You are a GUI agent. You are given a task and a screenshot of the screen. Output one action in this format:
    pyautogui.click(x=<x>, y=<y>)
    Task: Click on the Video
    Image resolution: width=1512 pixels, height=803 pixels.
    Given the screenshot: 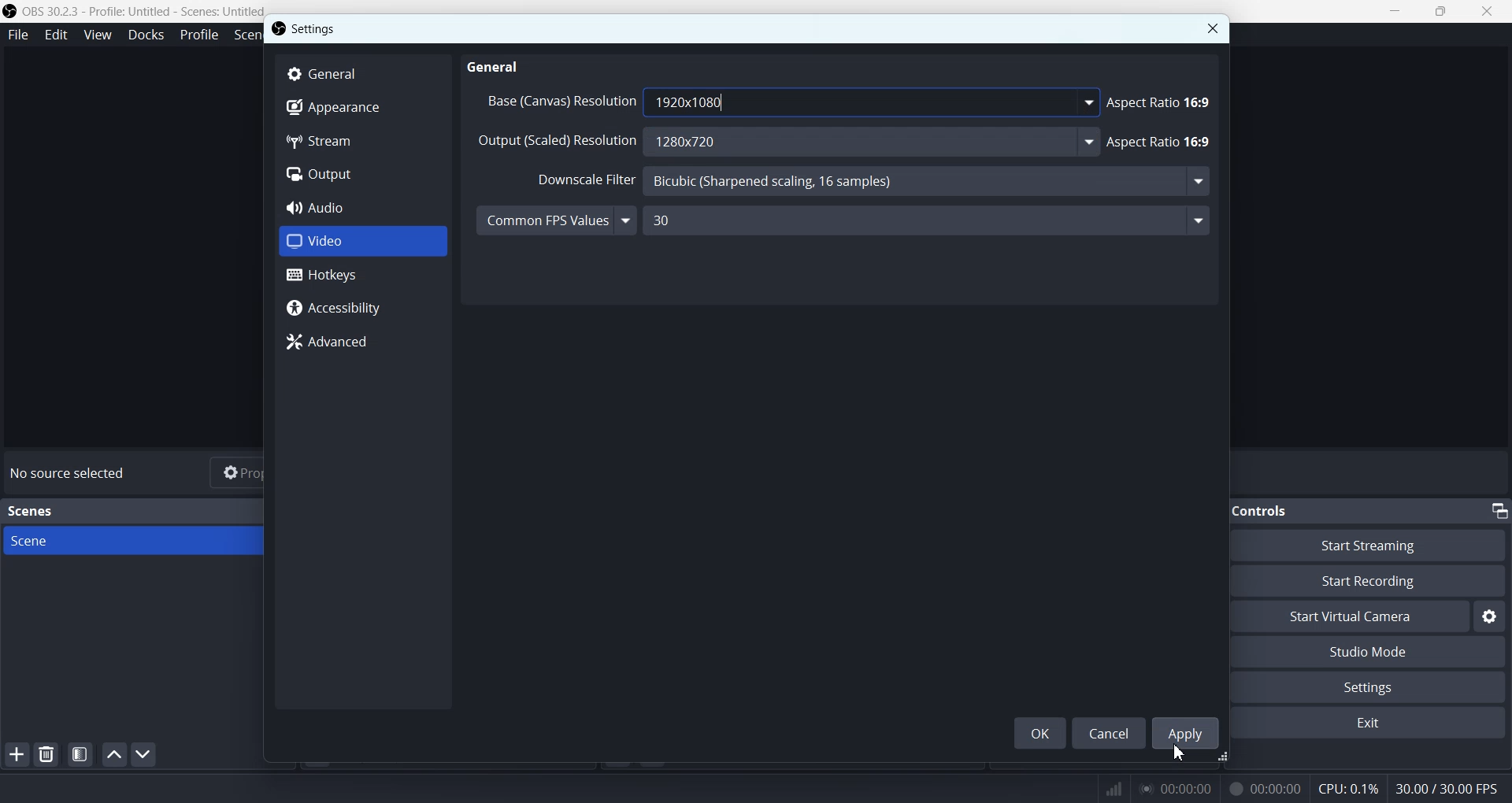 What is the action you would take?
    pyautogui.click(x=362, y=239)
    